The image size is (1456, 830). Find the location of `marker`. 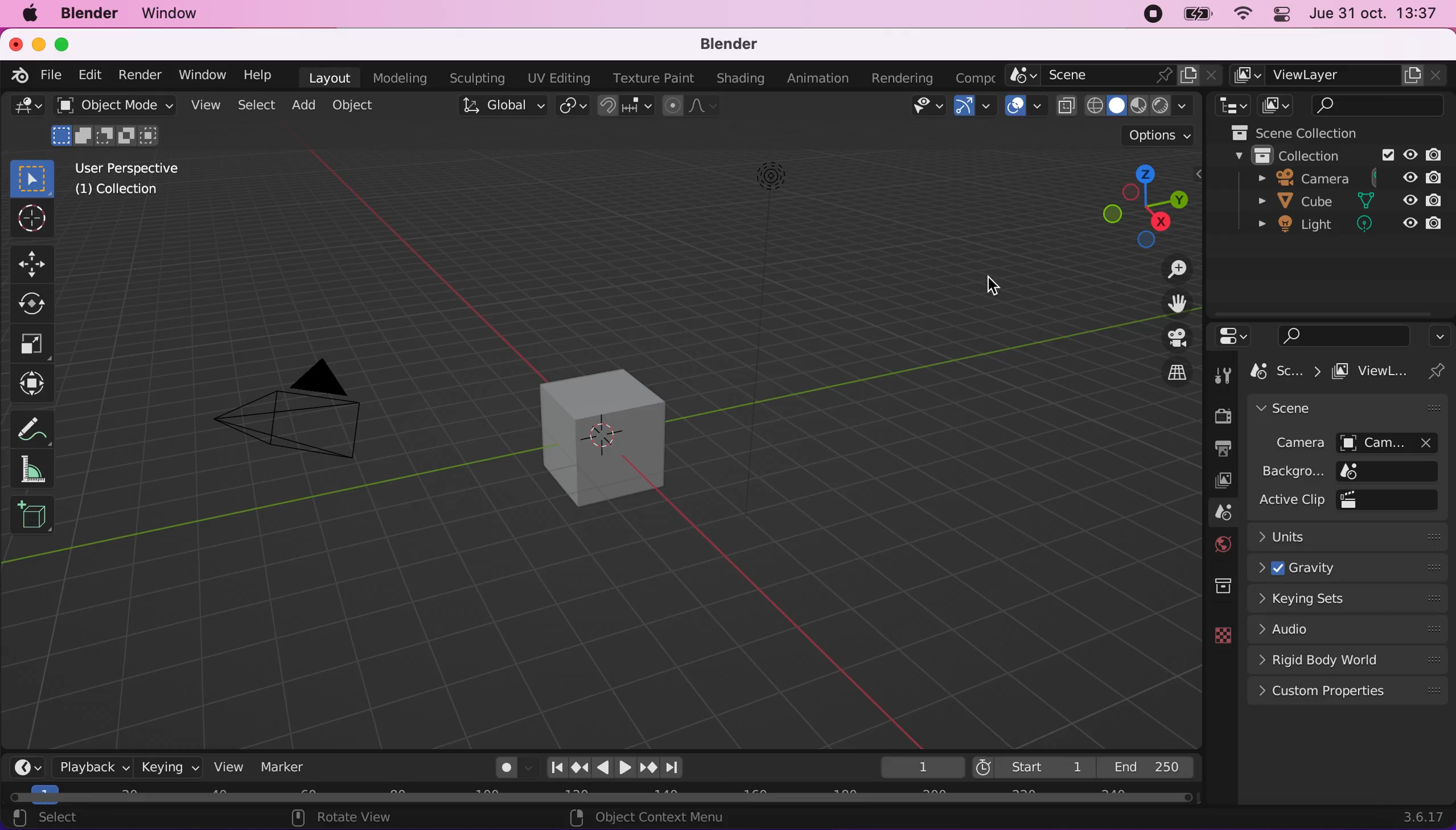

marker is located at coordinates (288, 766).